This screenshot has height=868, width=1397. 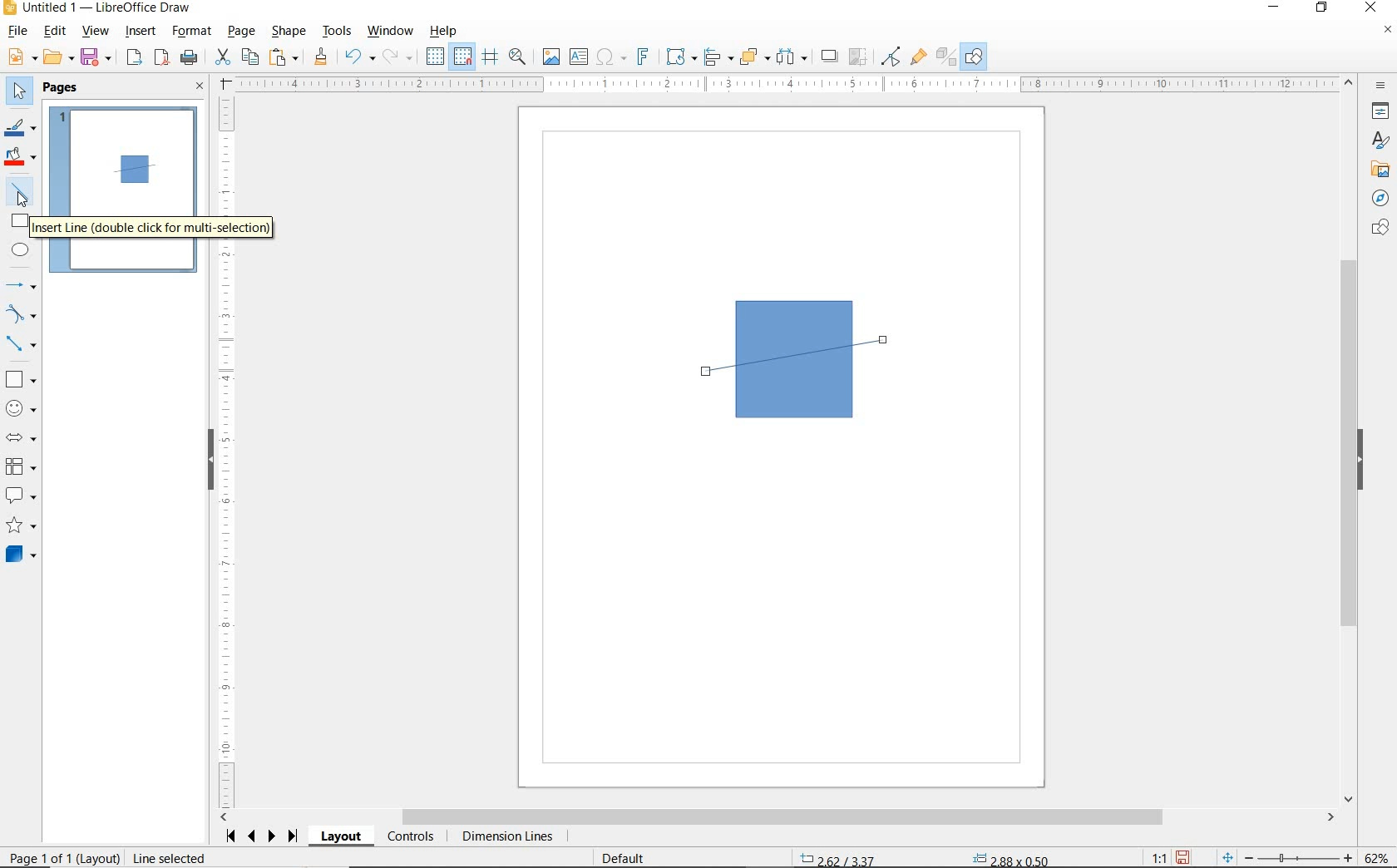 What do you see at coordinates (447, 31) in the screenshot?
I see `HELP` at bounding box center [447, 31].